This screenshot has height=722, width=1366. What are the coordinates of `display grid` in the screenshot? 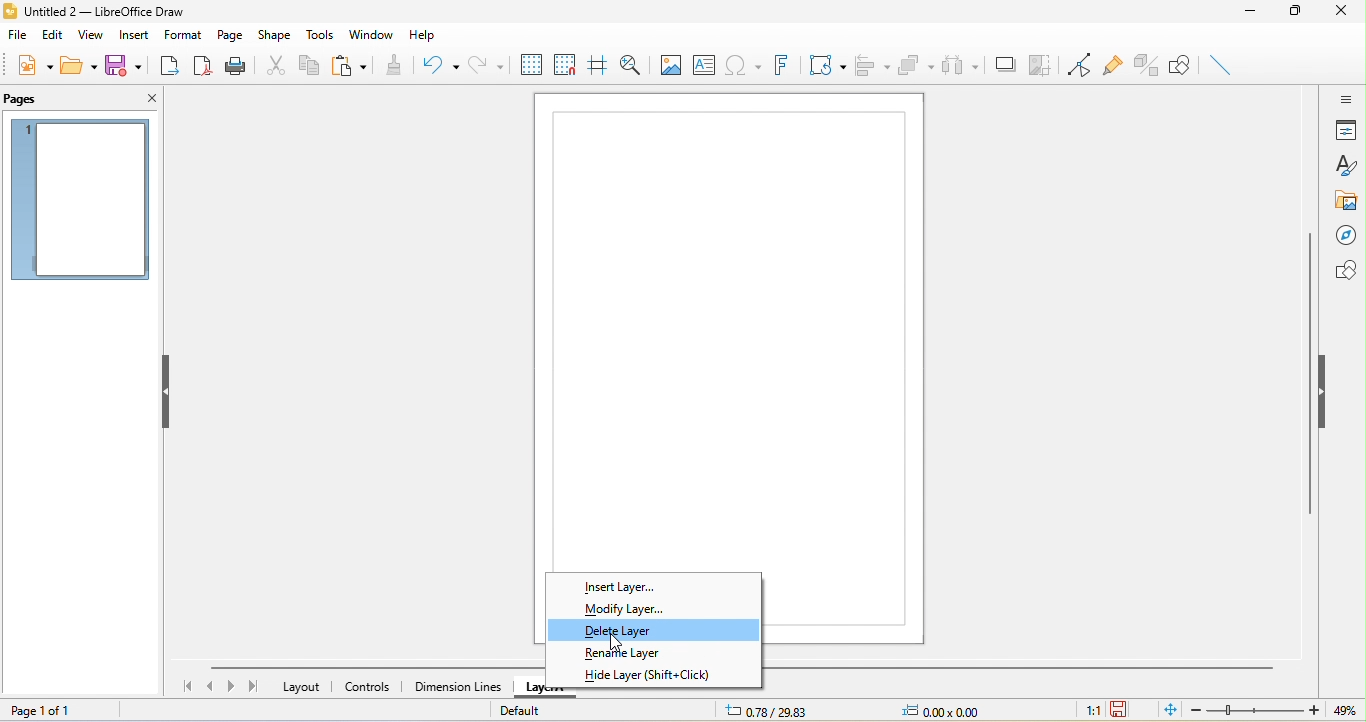 It's located at (532, 64).